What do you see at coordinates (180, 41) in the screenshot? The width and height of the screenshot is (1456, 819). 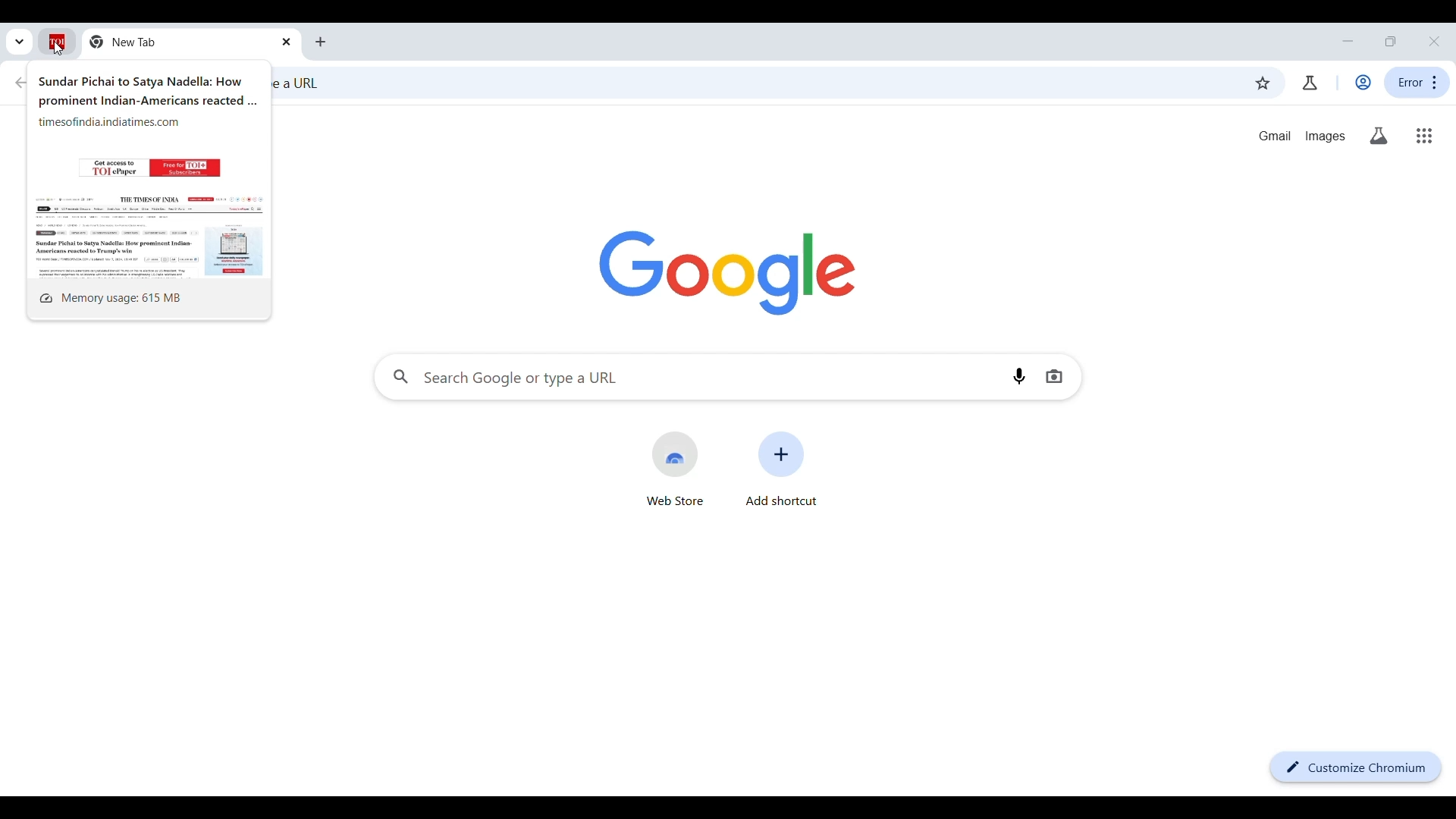 I see `Current open tab (New tab)` at bounding box center [180, 41].